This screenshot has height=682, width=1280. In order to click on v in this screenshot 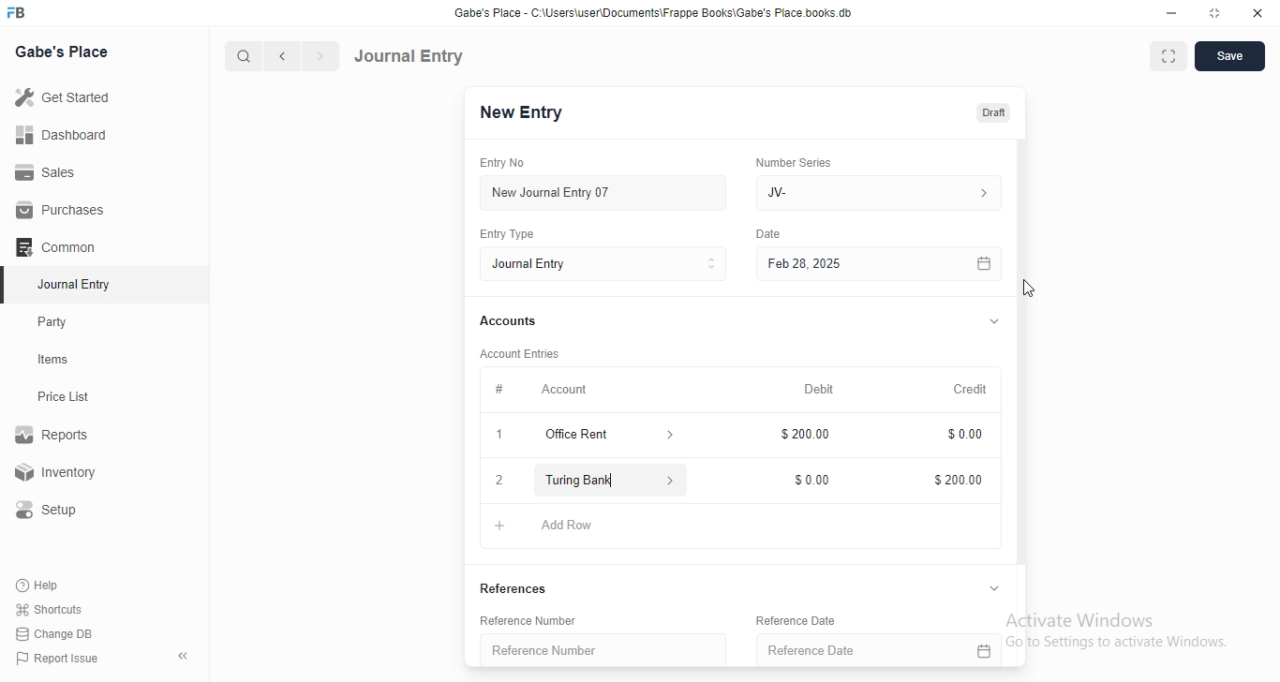, I will do `click(994, 318)`.